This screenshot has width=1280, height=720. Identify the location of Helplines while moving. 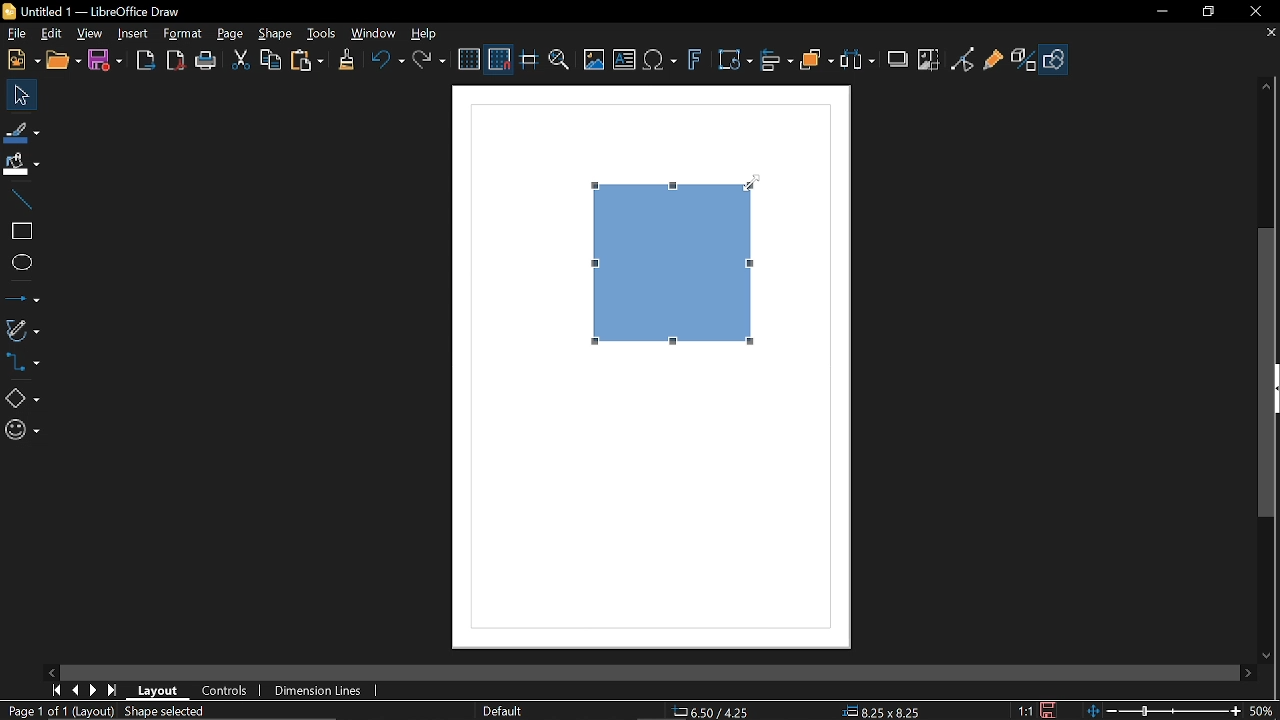
(528, 61).